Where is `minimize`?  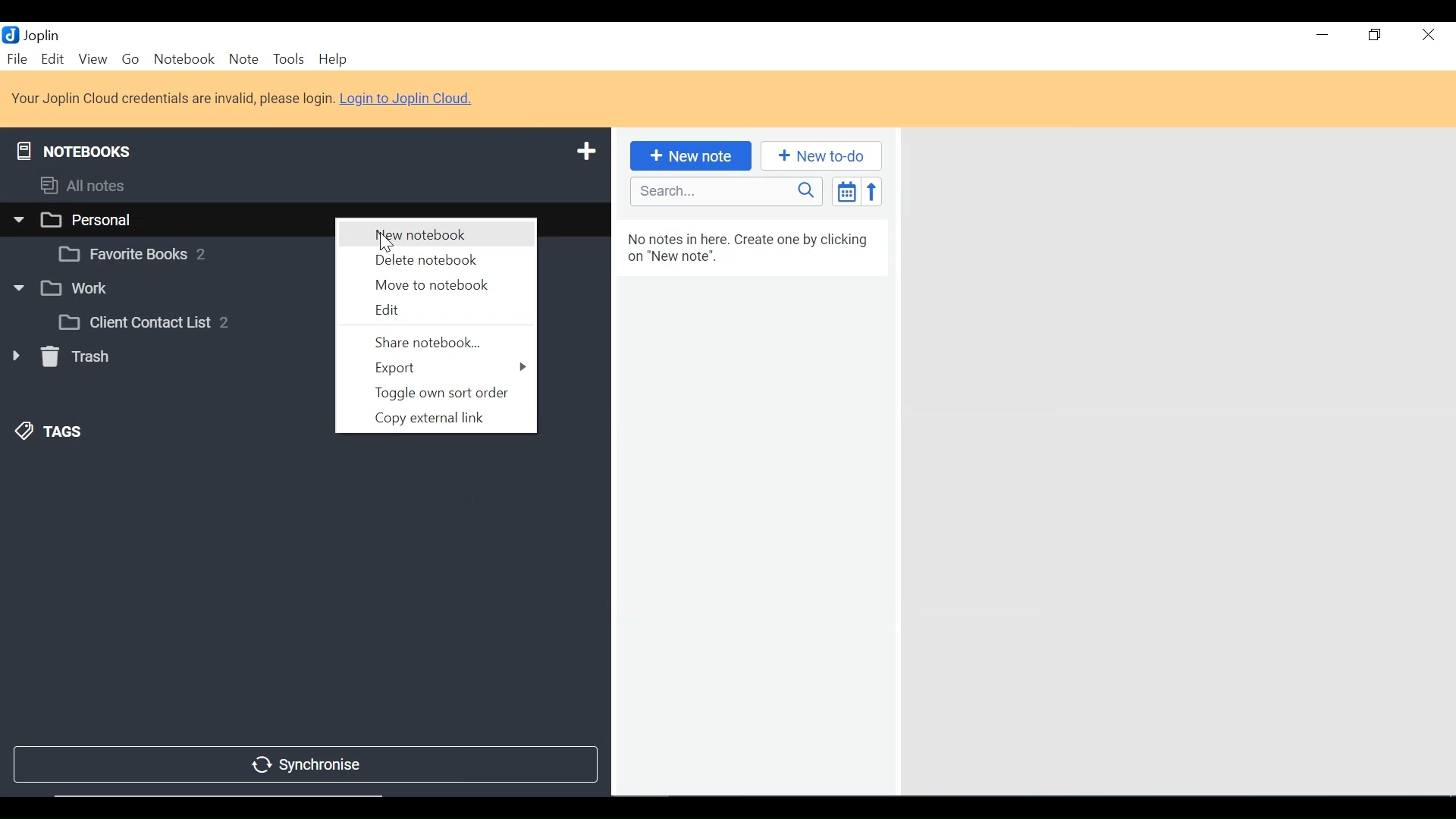
minimize is located at coordinates (1323, 37).